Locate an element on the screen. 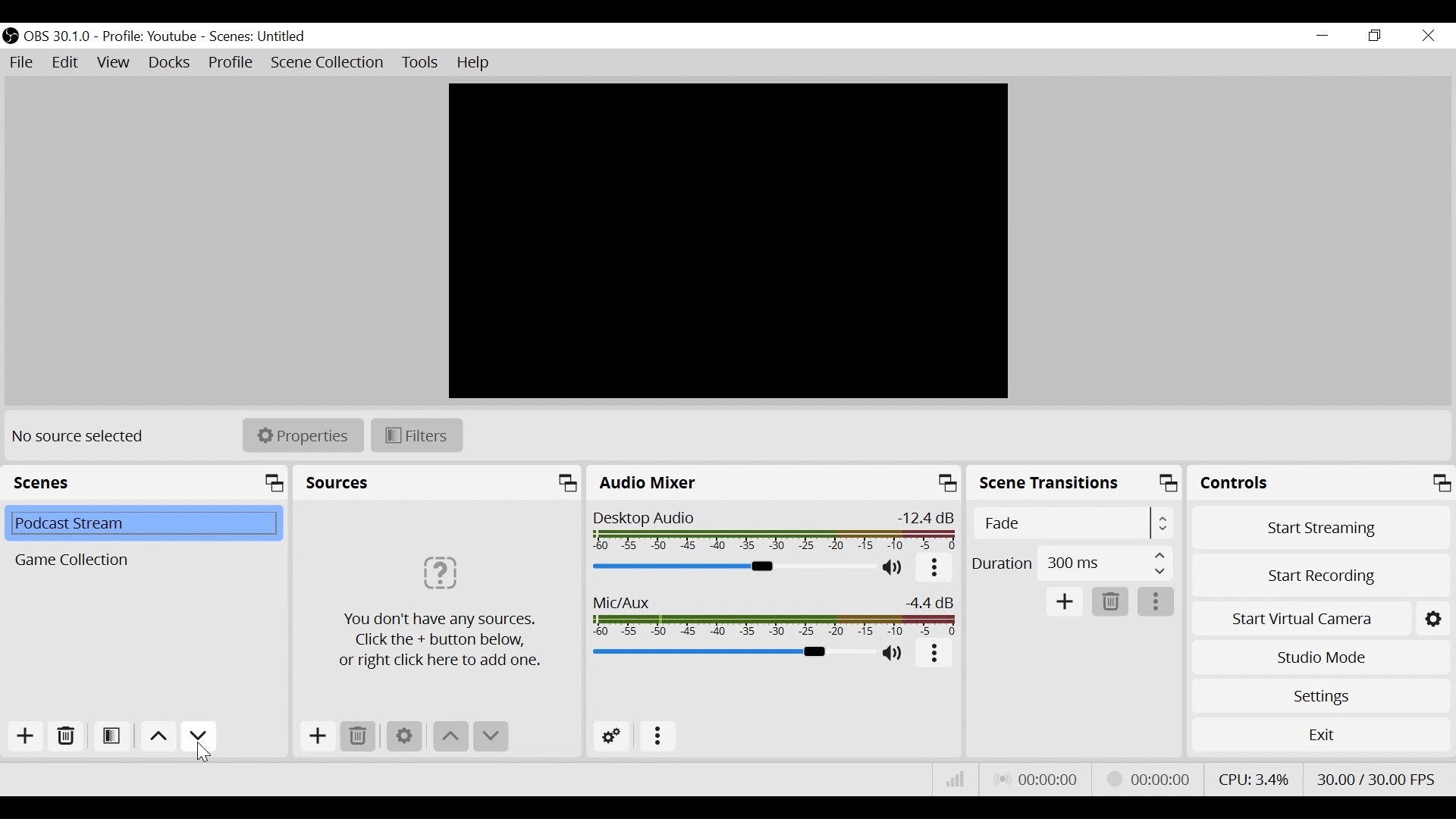 This screenshot has height=819, width=1456. Tools is located at coordinates (420, 63).